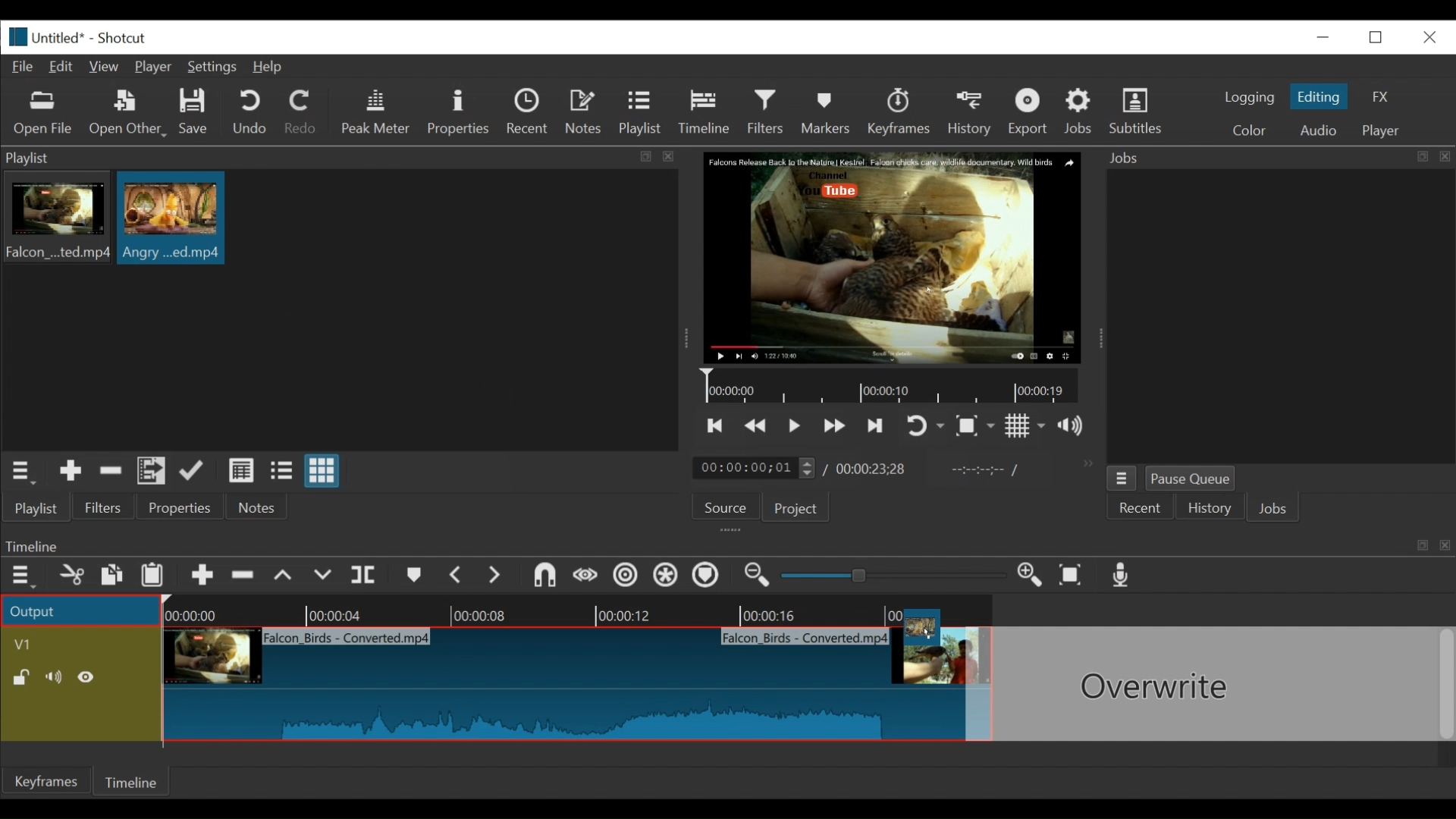 The height and width of the screenshot is (819, 1456). What do you see at coordinates (1275, 510) in the screenshot?
I see `JOBS` at bounding box center [1275, 510].